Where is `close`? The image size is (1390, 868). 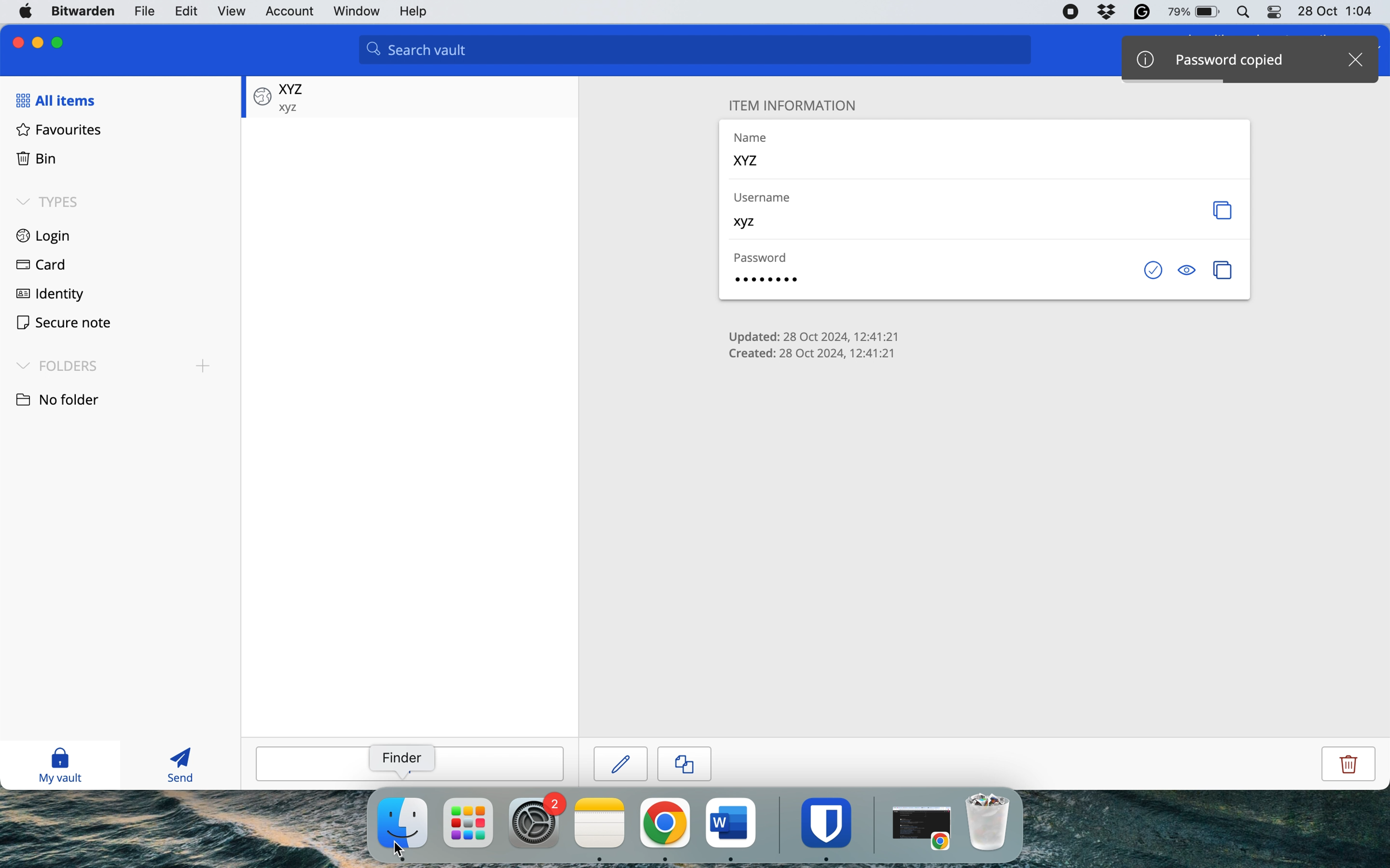 close is located at coordinates (15, 41).